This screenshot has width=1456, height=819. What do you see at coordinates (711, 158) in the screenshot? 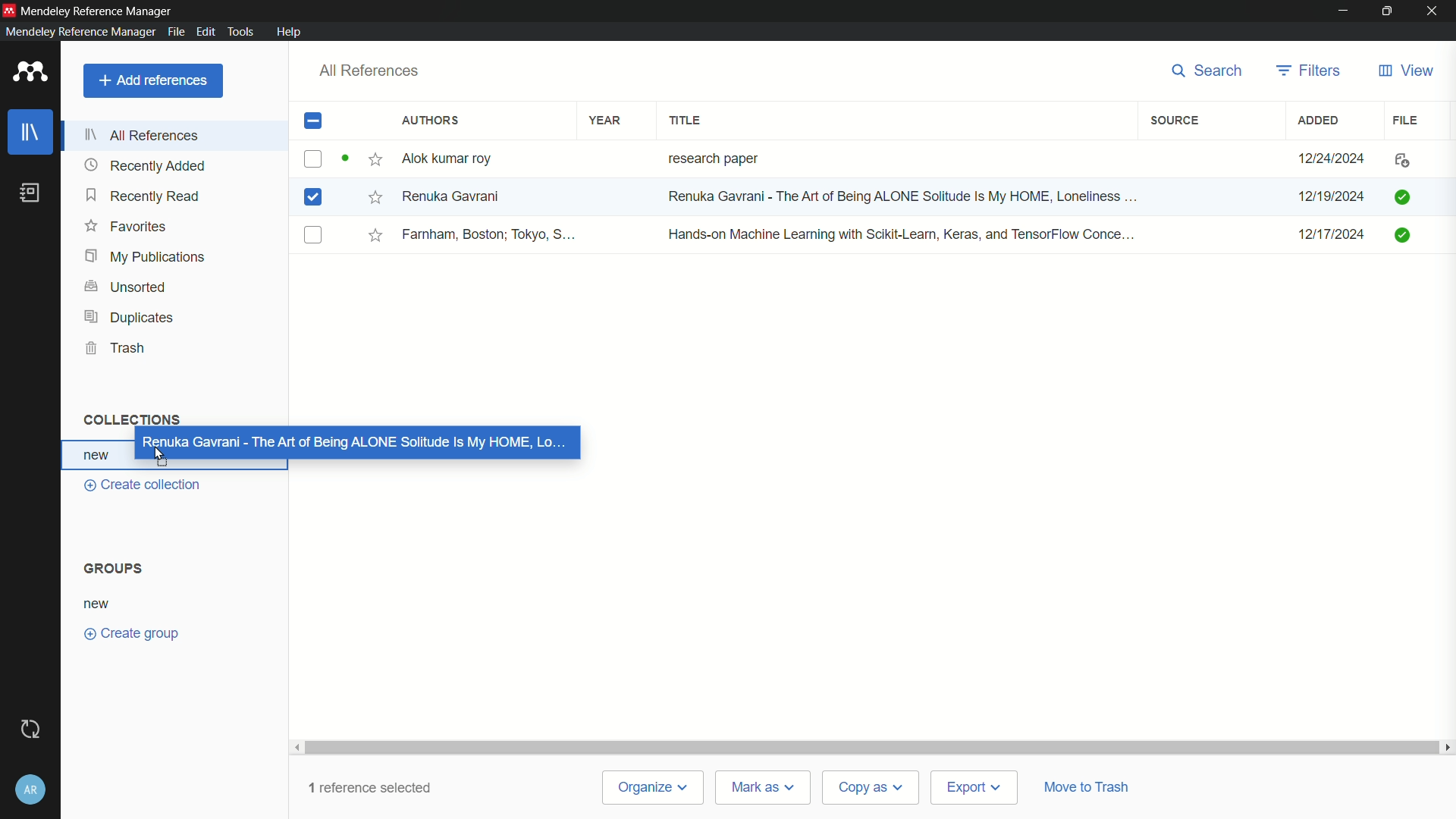
I see `research paper` at bounding box center [711, 158].